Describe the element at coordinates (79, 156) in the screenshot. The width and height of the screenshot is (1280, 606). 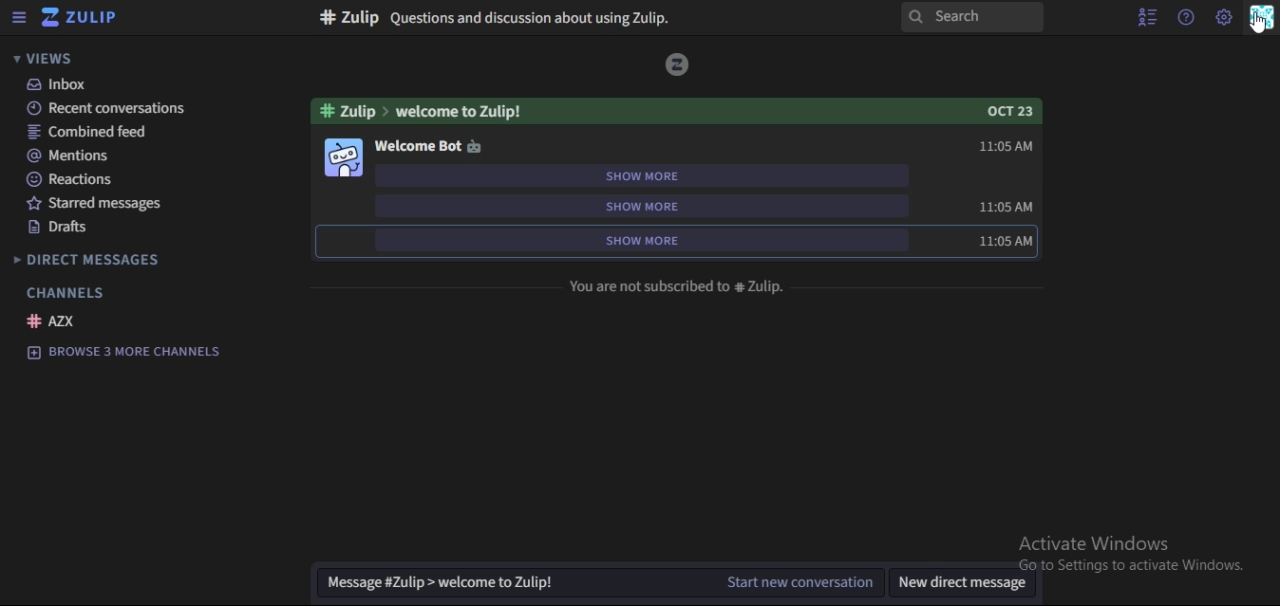
I see `mentions` at that location.